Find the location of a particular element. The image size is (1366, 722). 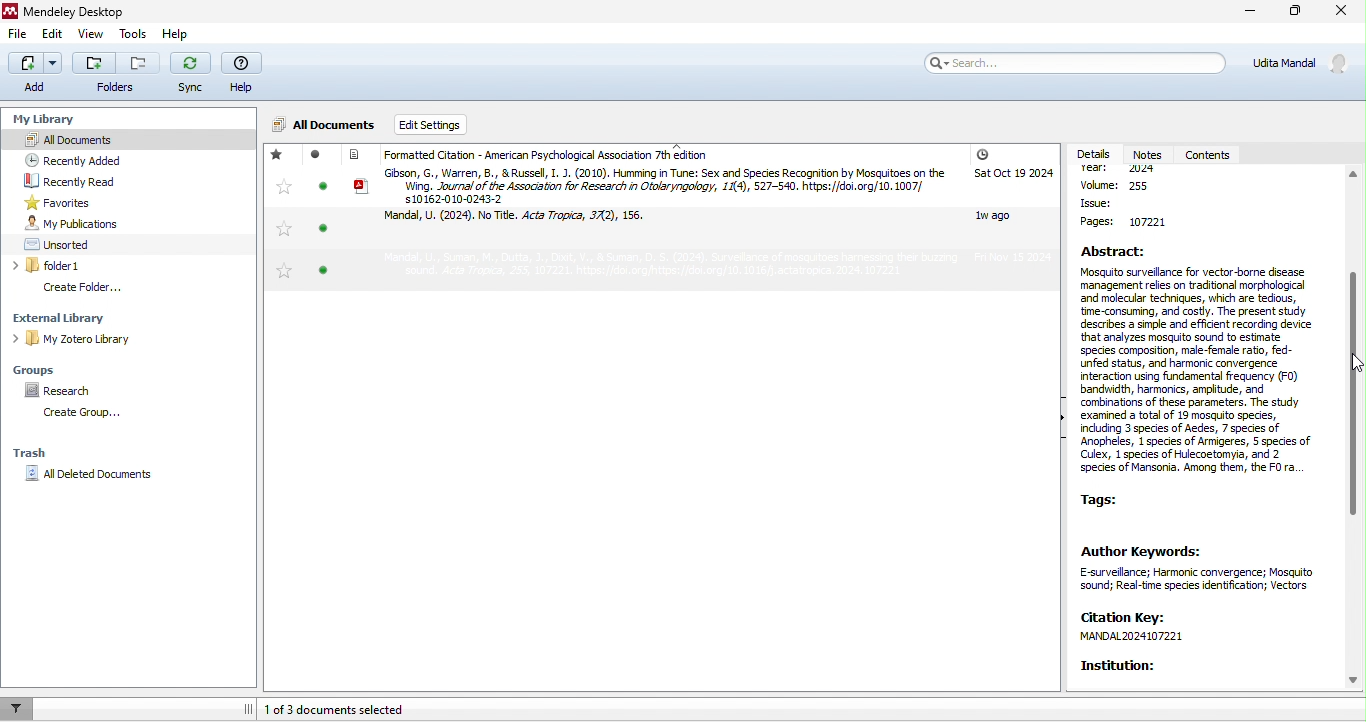

research is located at coordinates (61, 389).